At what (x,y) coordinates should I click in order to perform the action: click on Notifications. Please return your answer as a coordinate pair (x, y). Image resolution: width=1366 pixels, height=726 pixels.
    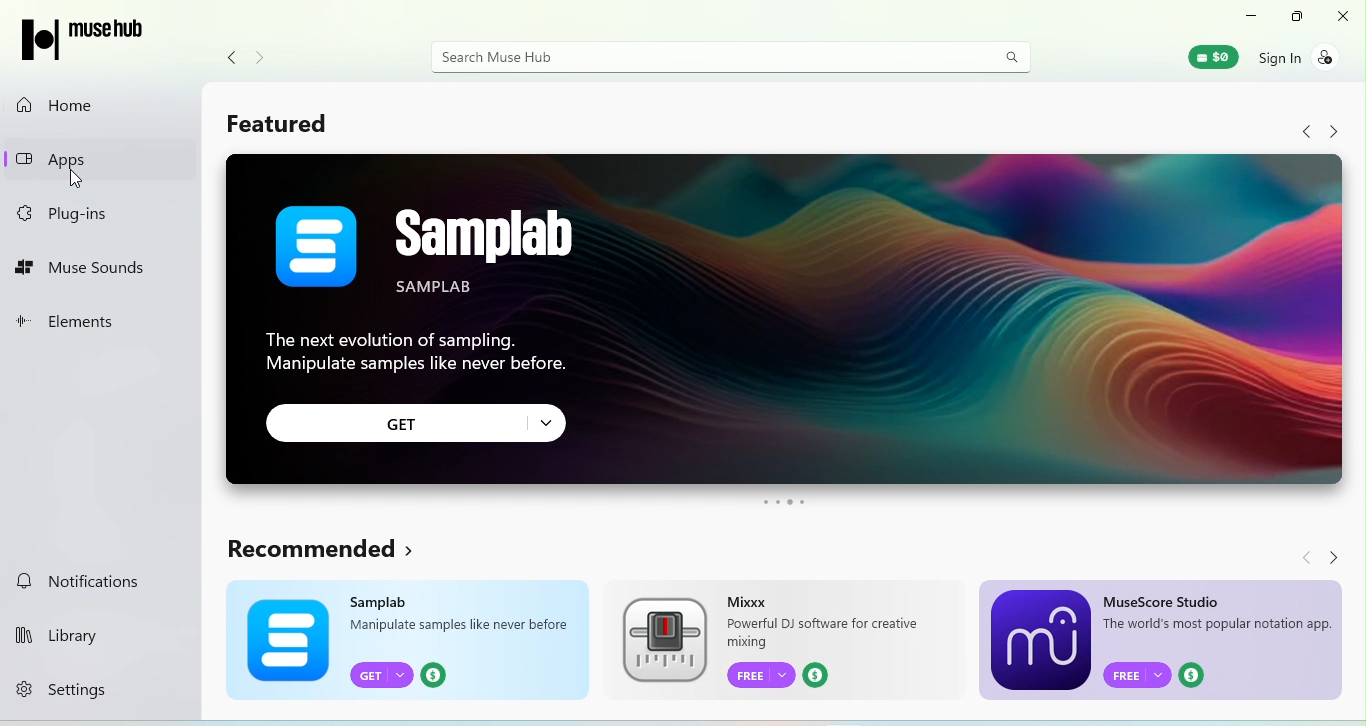
    Looking at the image, I should click on (76, 582).